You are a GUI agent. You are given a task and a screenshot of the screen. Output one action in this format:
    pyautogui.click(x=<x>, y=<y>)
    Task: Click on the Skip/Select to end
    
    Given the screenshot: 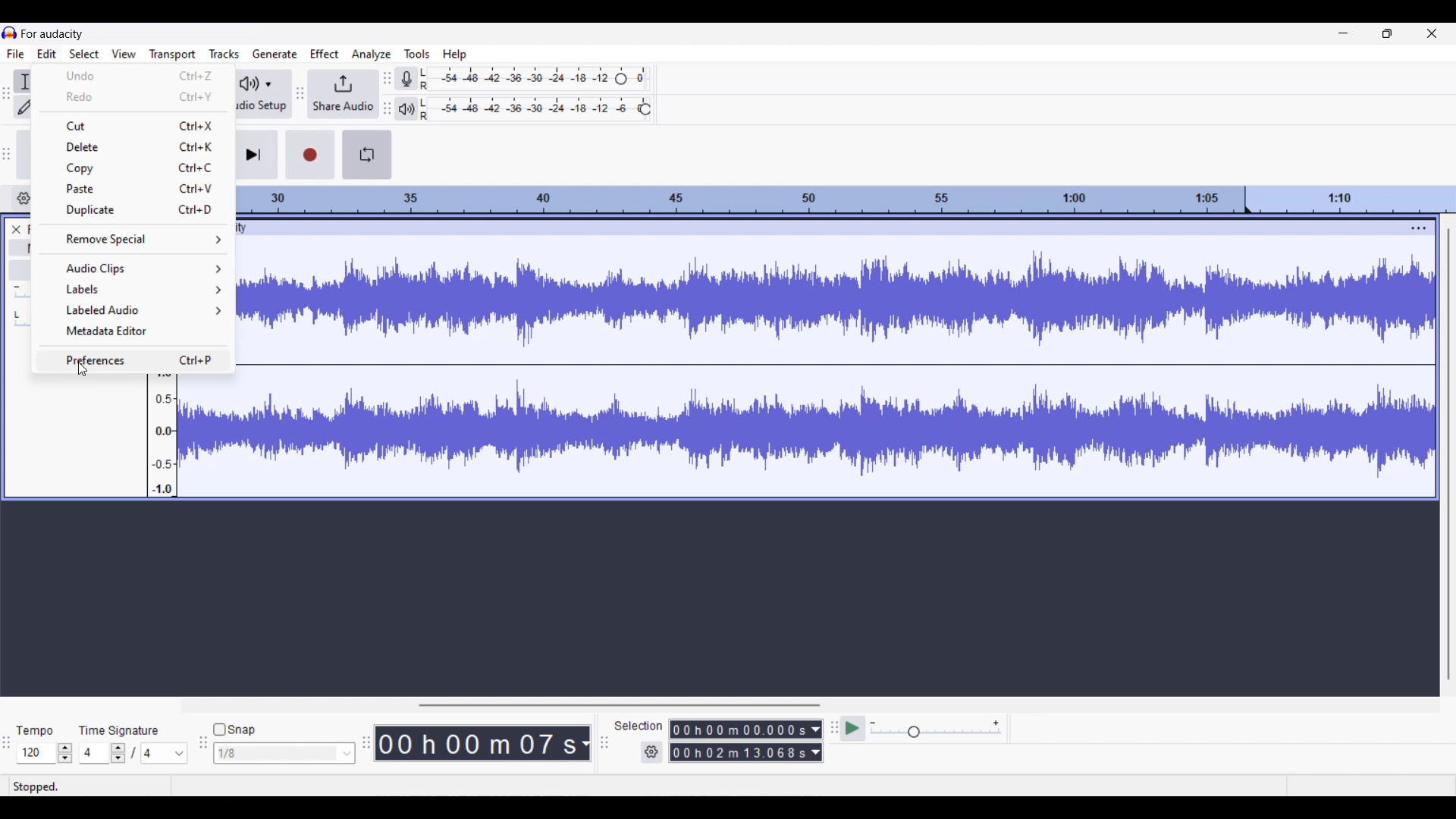 What is the action you would take?
    pyautogui.click(x=256, y=155)
    